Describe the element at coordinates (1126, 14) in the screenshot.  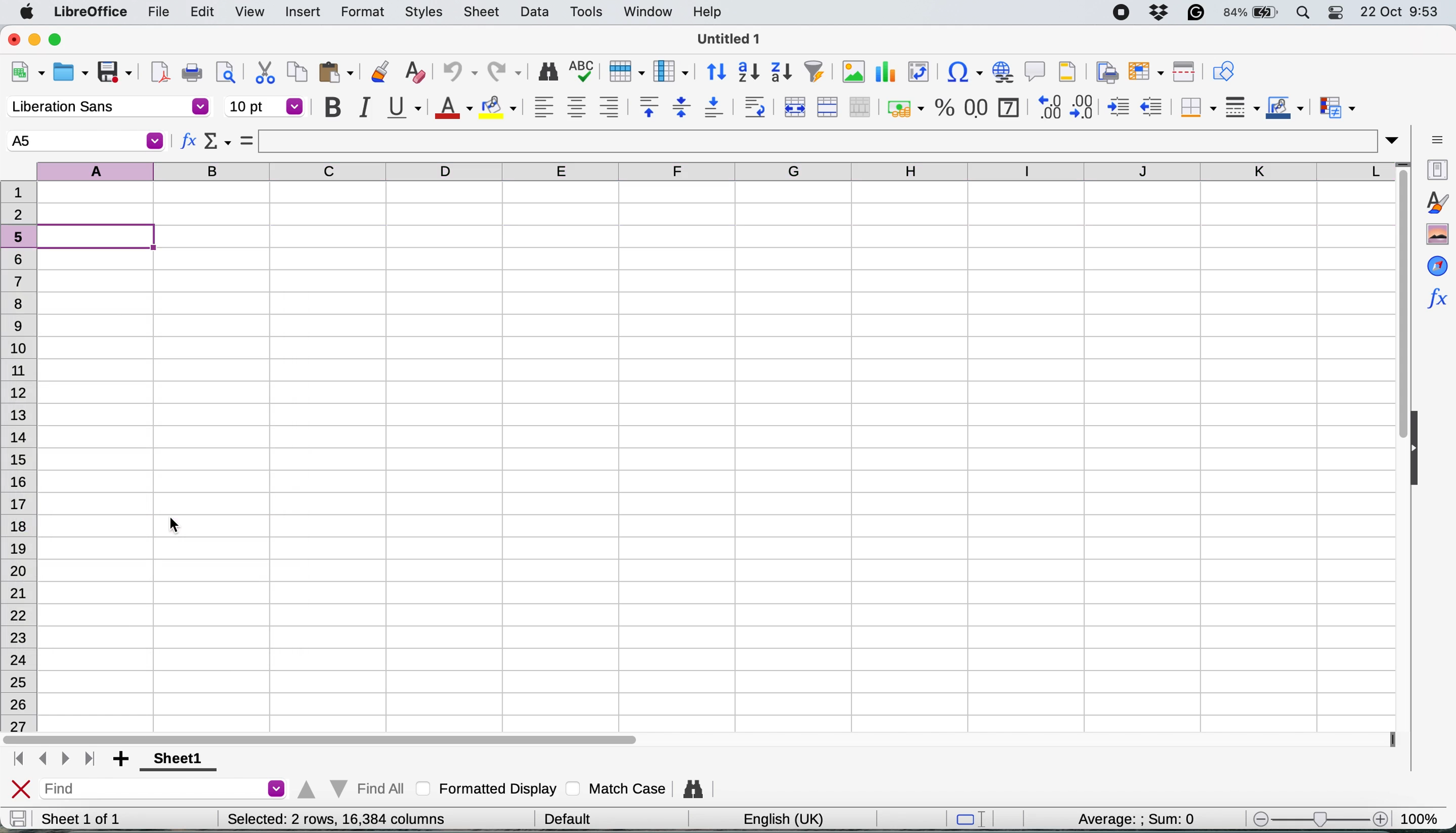
I see `screen recorder` at that location.